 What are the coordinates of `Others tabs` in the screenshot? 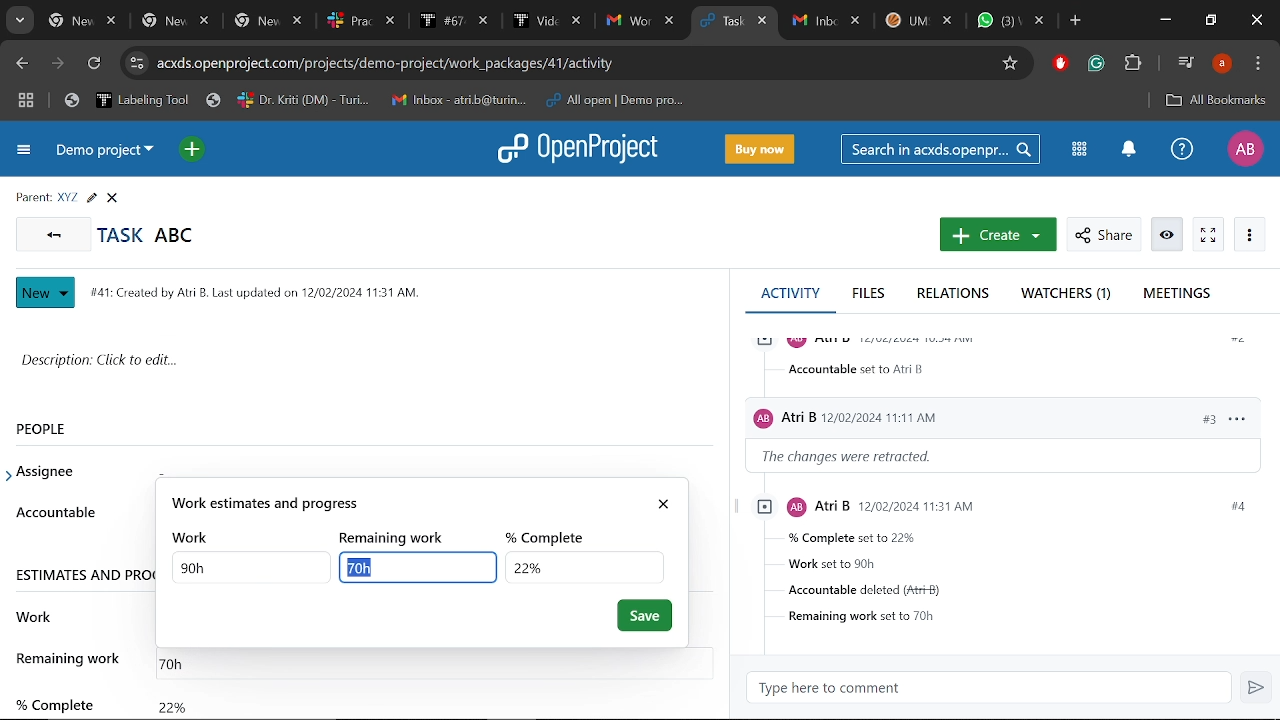 It's located at (363, 21).